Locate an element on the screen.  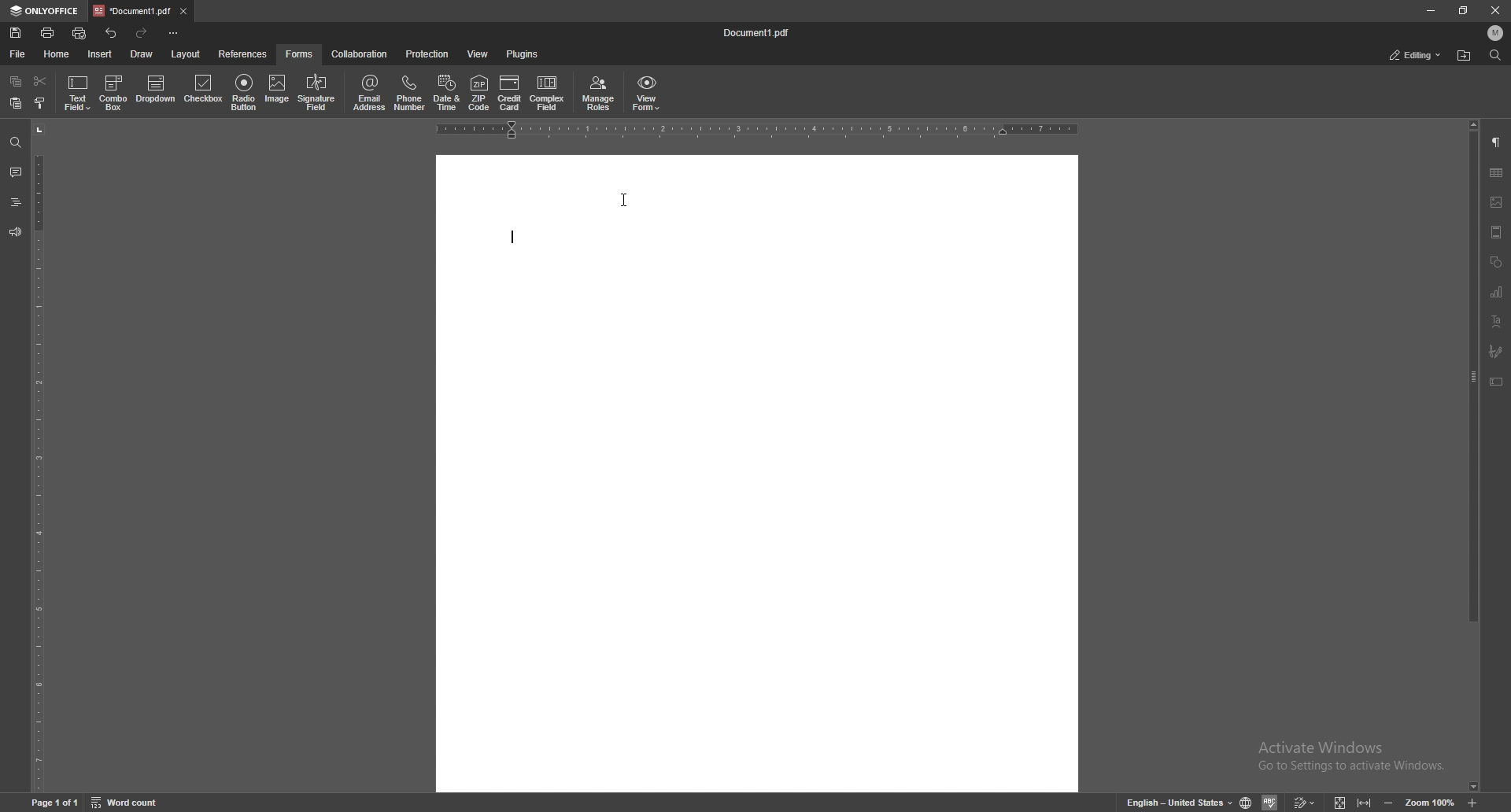
find is located at coordinates (1495, 55).